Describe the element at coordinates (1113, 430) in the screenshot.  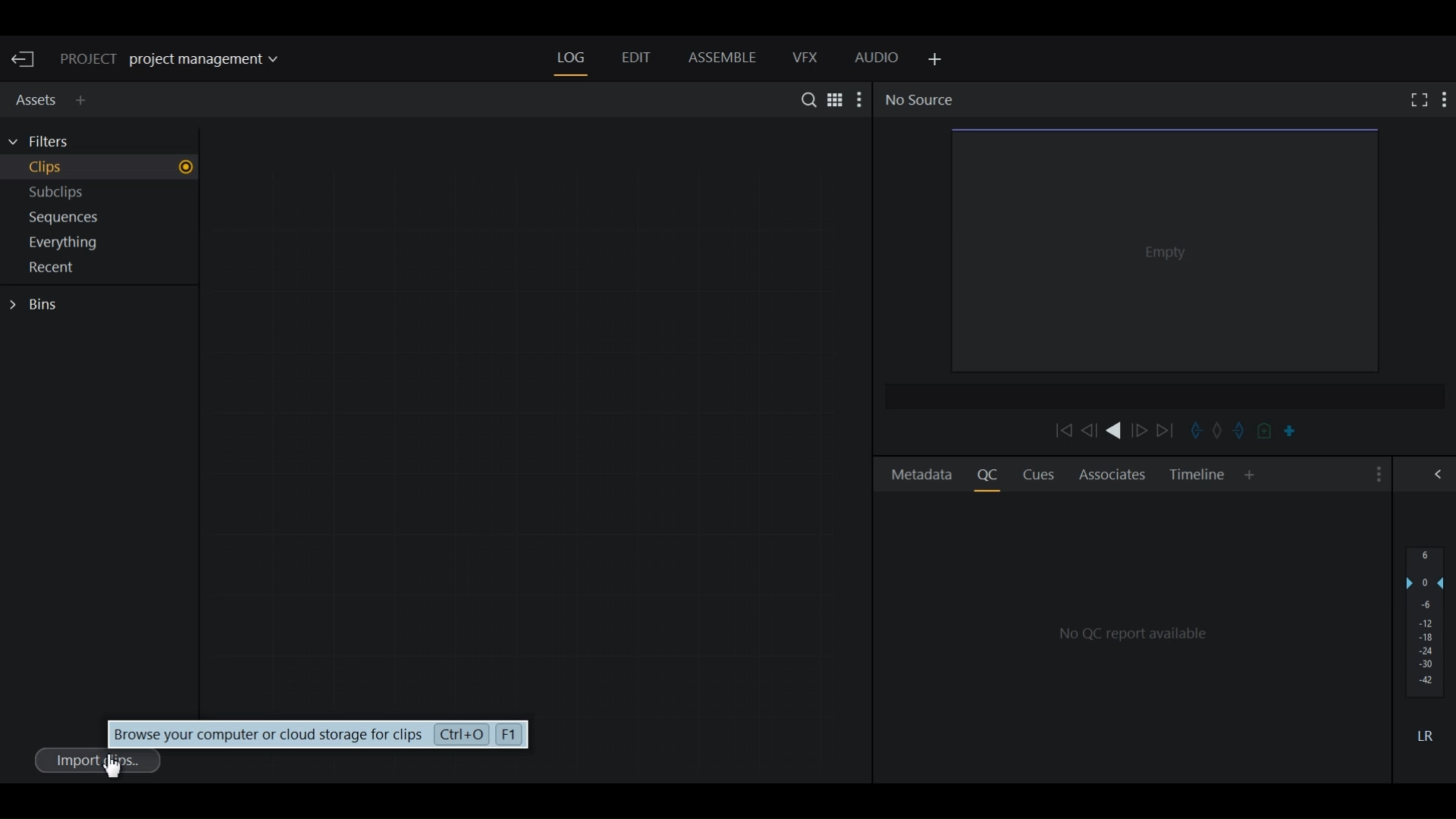
I see `Play` at that location.